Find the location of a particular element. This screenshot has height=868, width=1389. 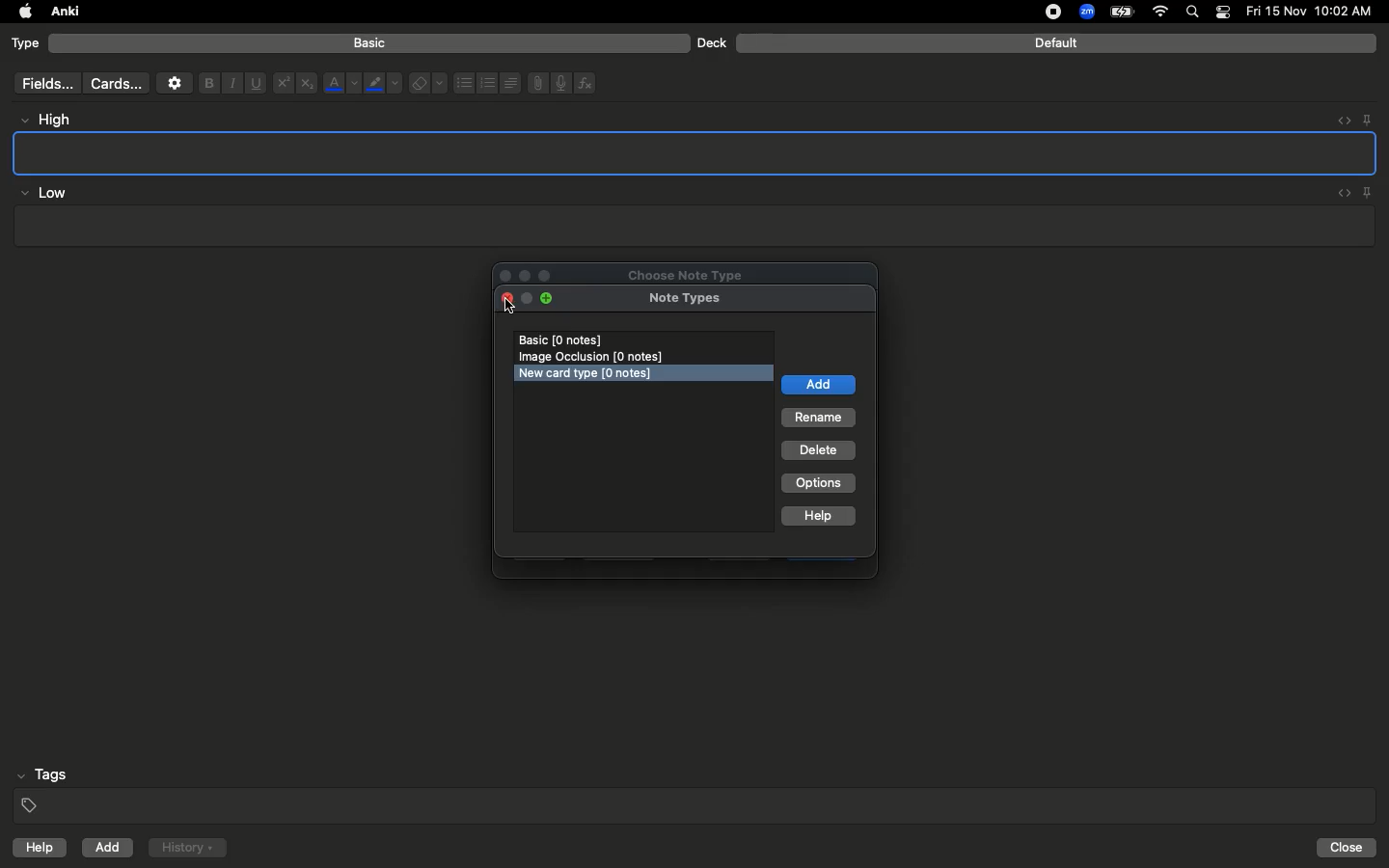

Basic (0 notes) is located at coordinates (644, 340).